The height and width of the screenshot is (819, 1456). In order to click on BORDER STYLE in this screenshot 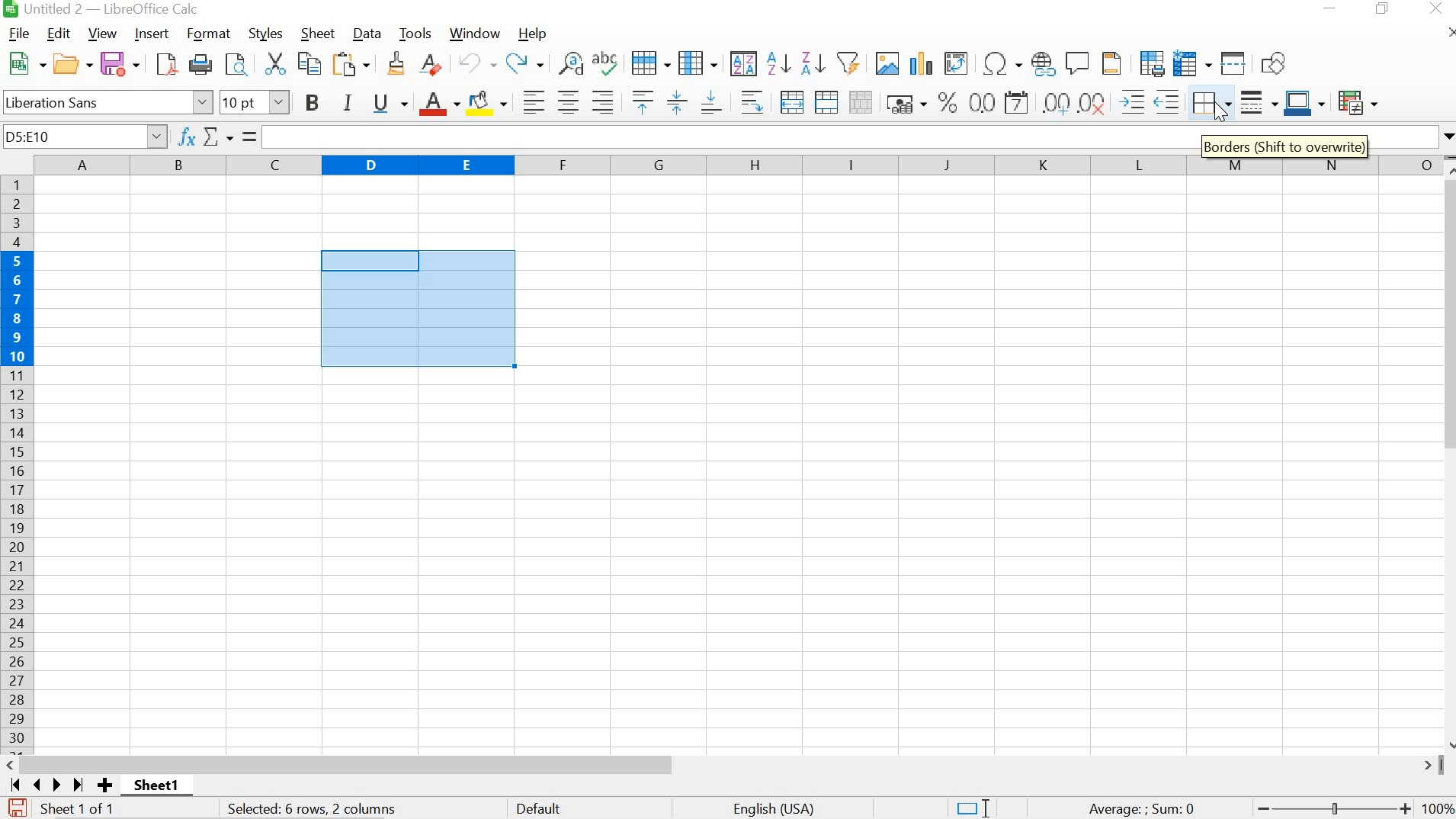, I will do `click(1259, 104)`.